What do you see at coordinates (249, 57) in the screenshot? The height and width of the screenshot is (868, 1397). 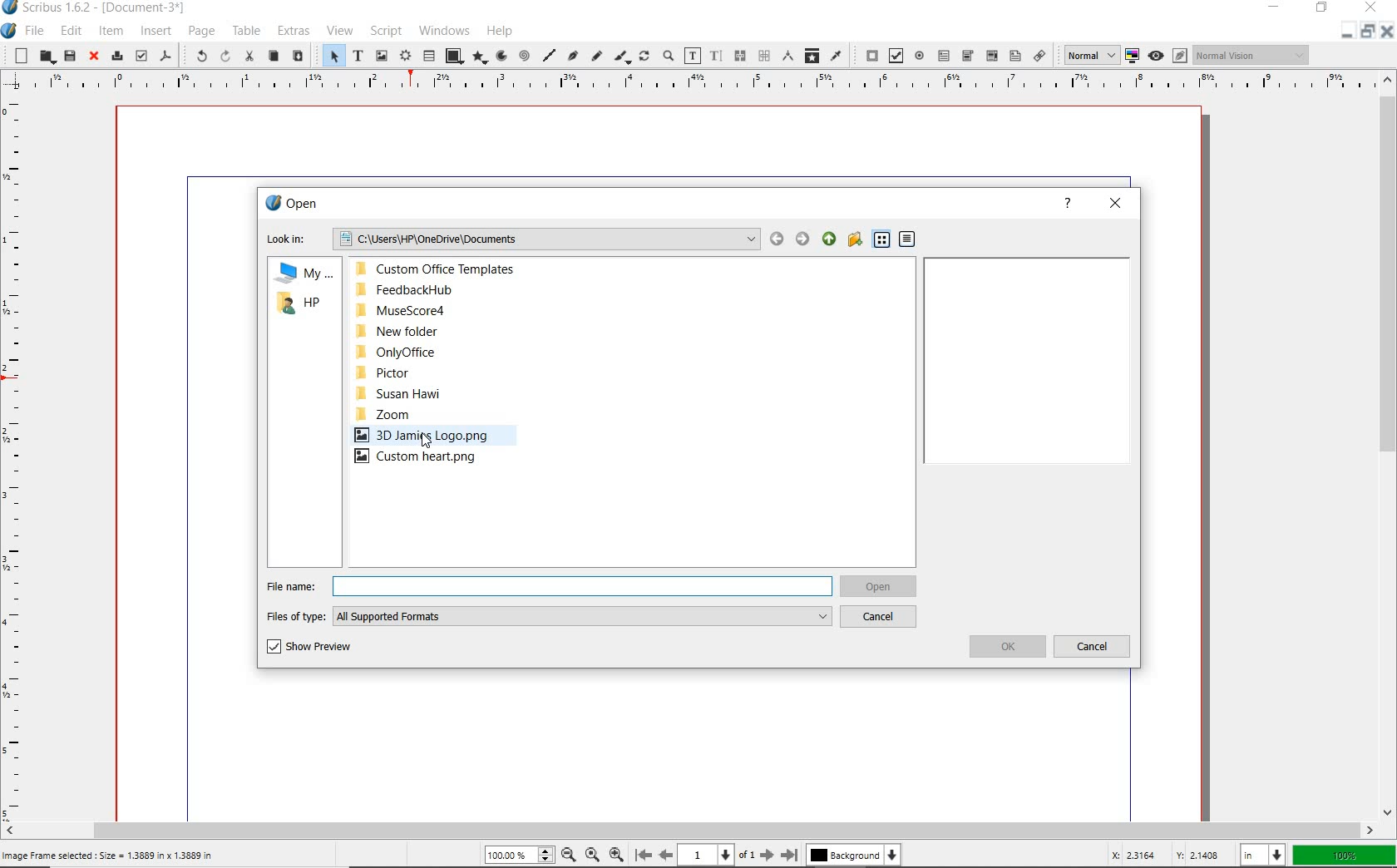 I see `cut` at bounding box center [249, 57].